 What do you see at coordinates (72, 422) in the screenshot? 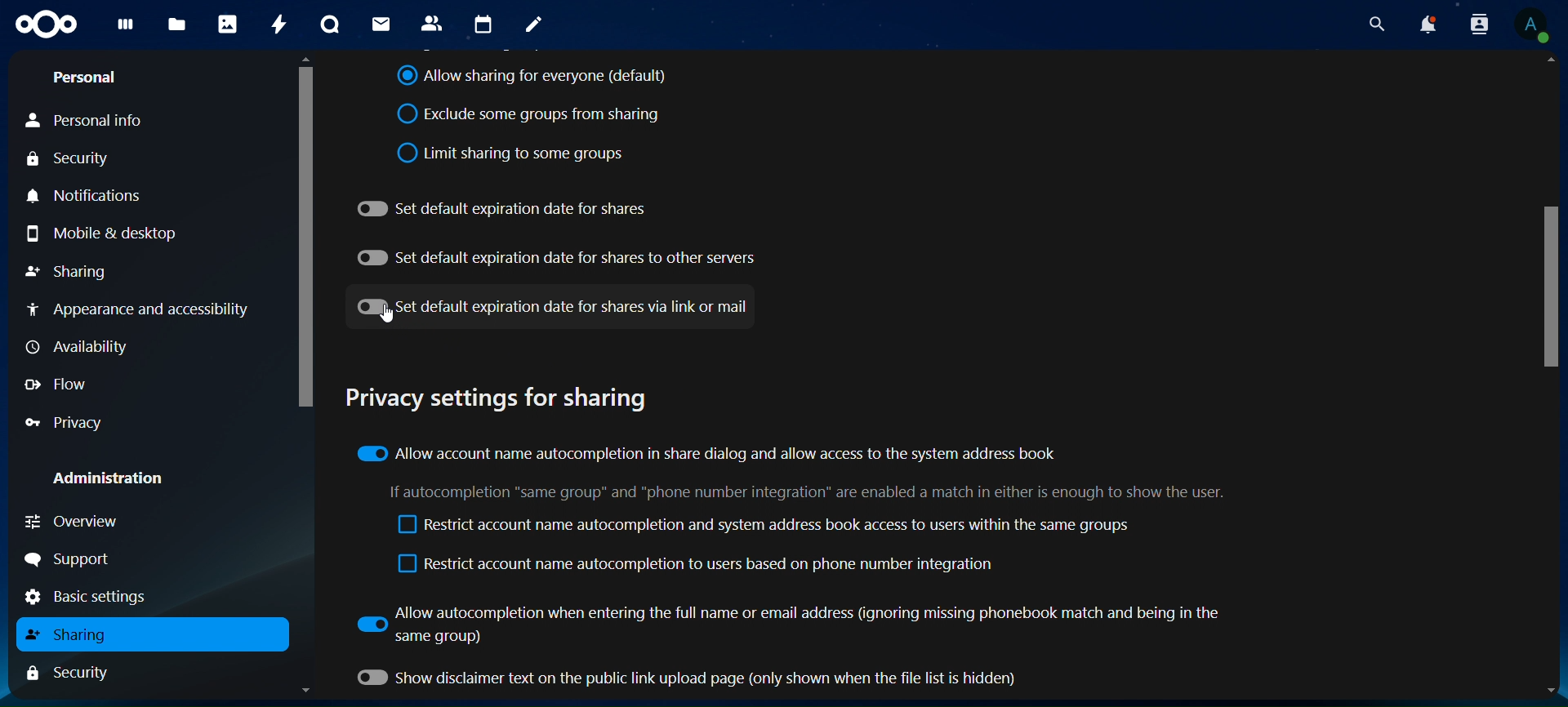
I see `privacy` at bounding box center [72, 422].